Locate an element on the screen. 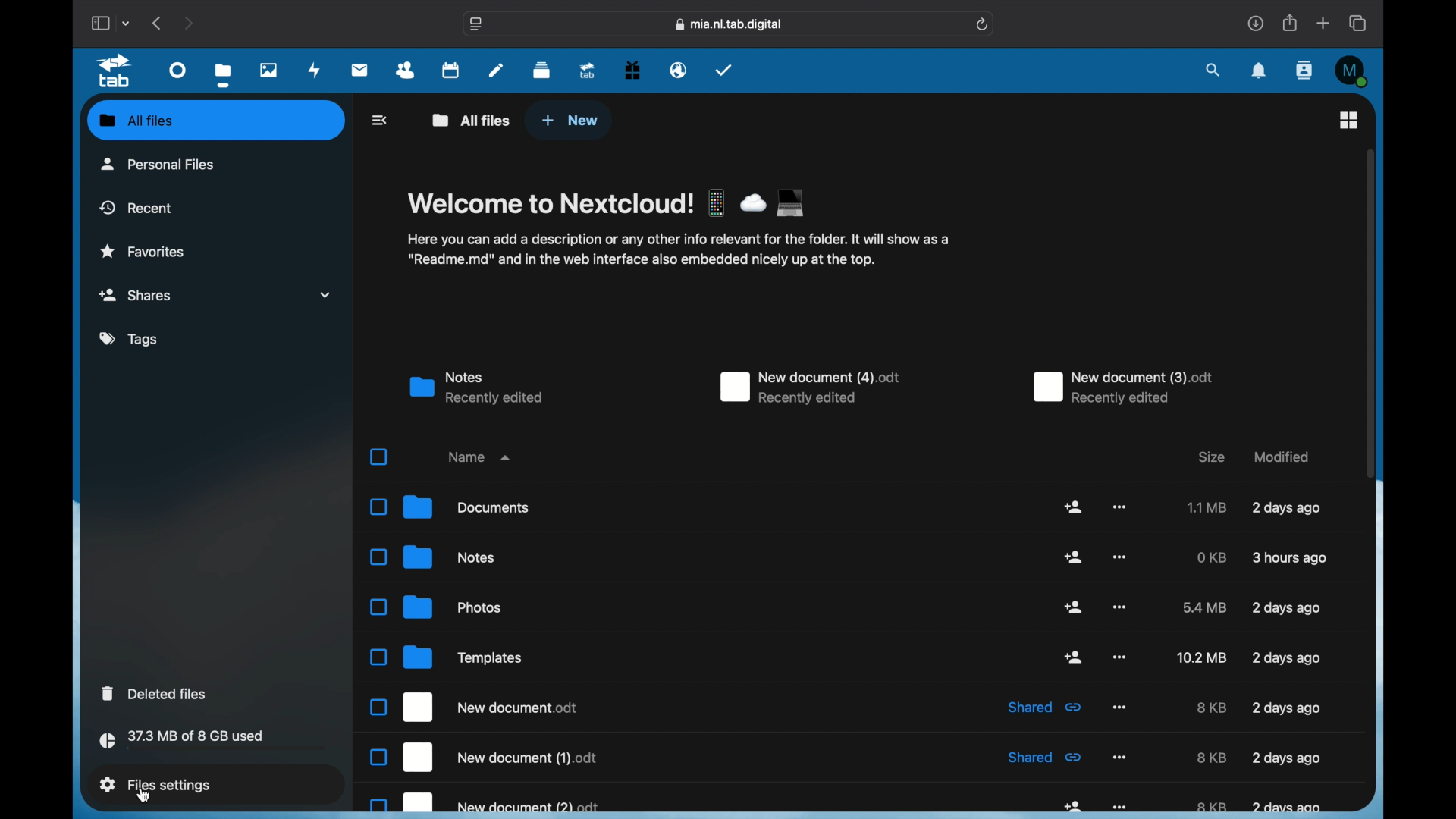  M is located at coordinates (1352, 71).